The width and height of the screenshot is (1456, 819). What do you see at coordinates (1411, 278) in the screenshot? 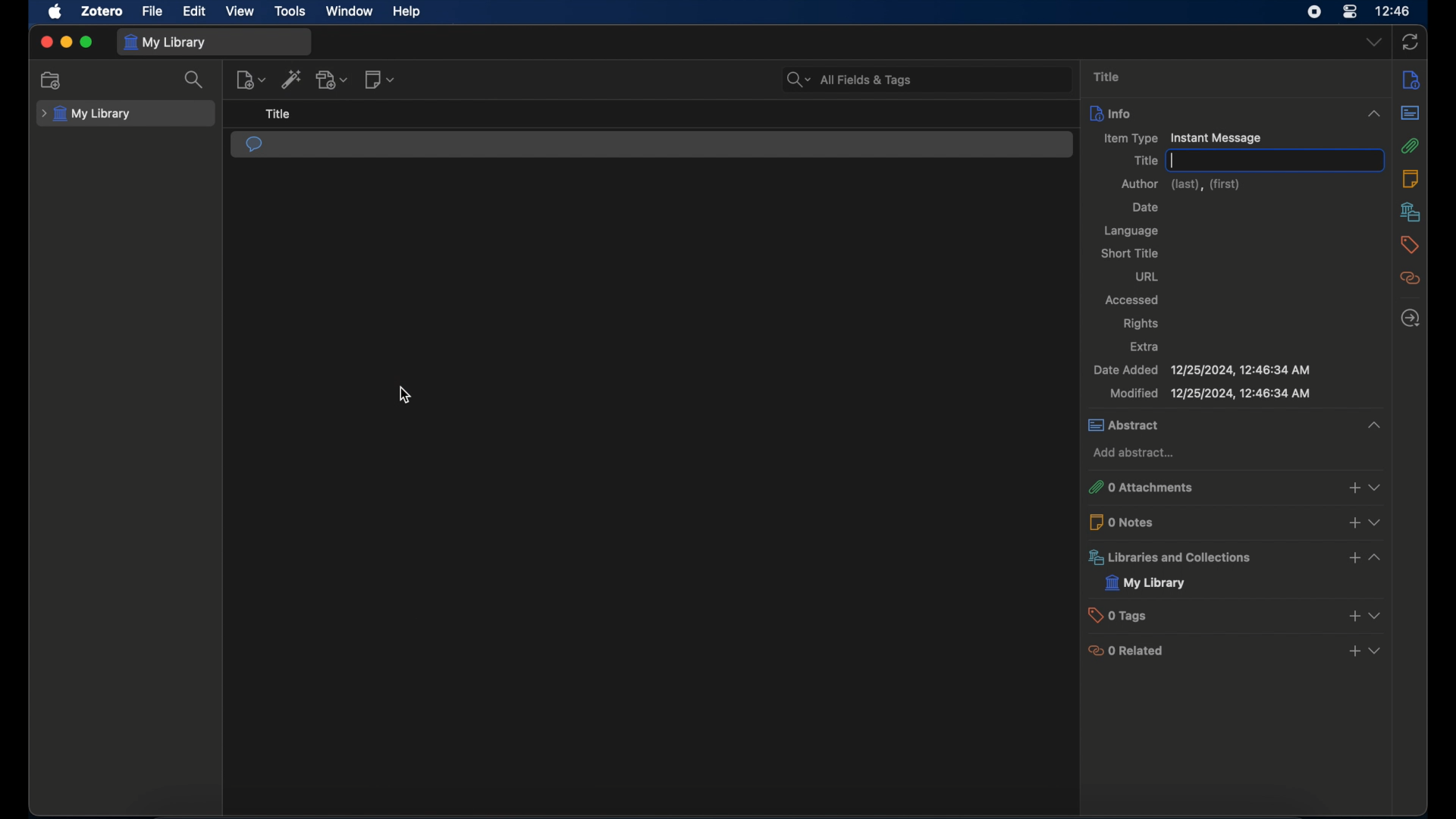
I see `related` at bounding box center [1411, 278].